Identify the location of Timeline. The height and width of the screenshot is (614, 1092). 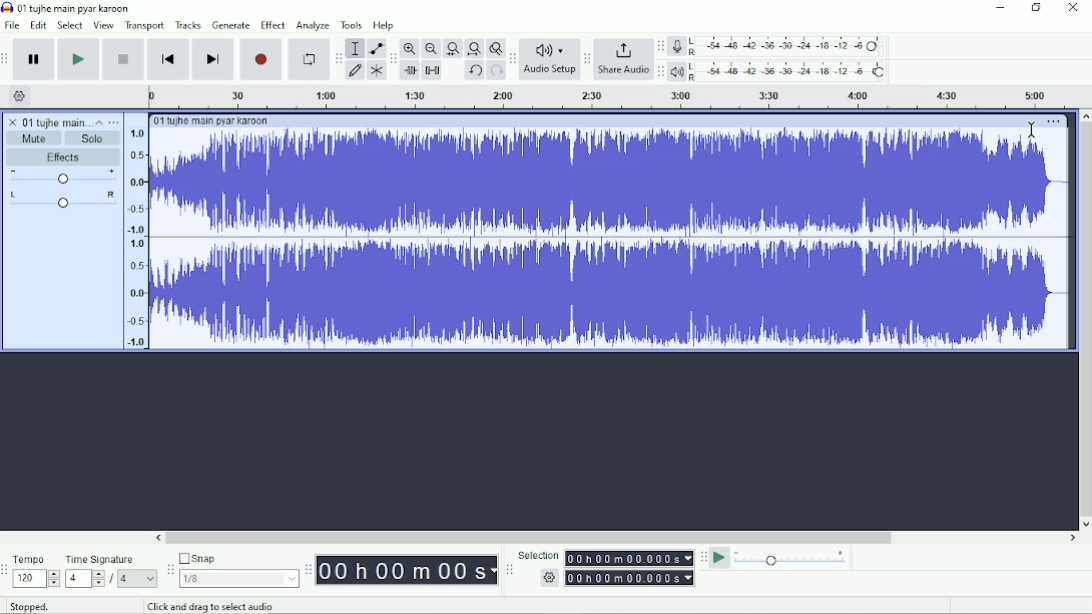
(615, 96).